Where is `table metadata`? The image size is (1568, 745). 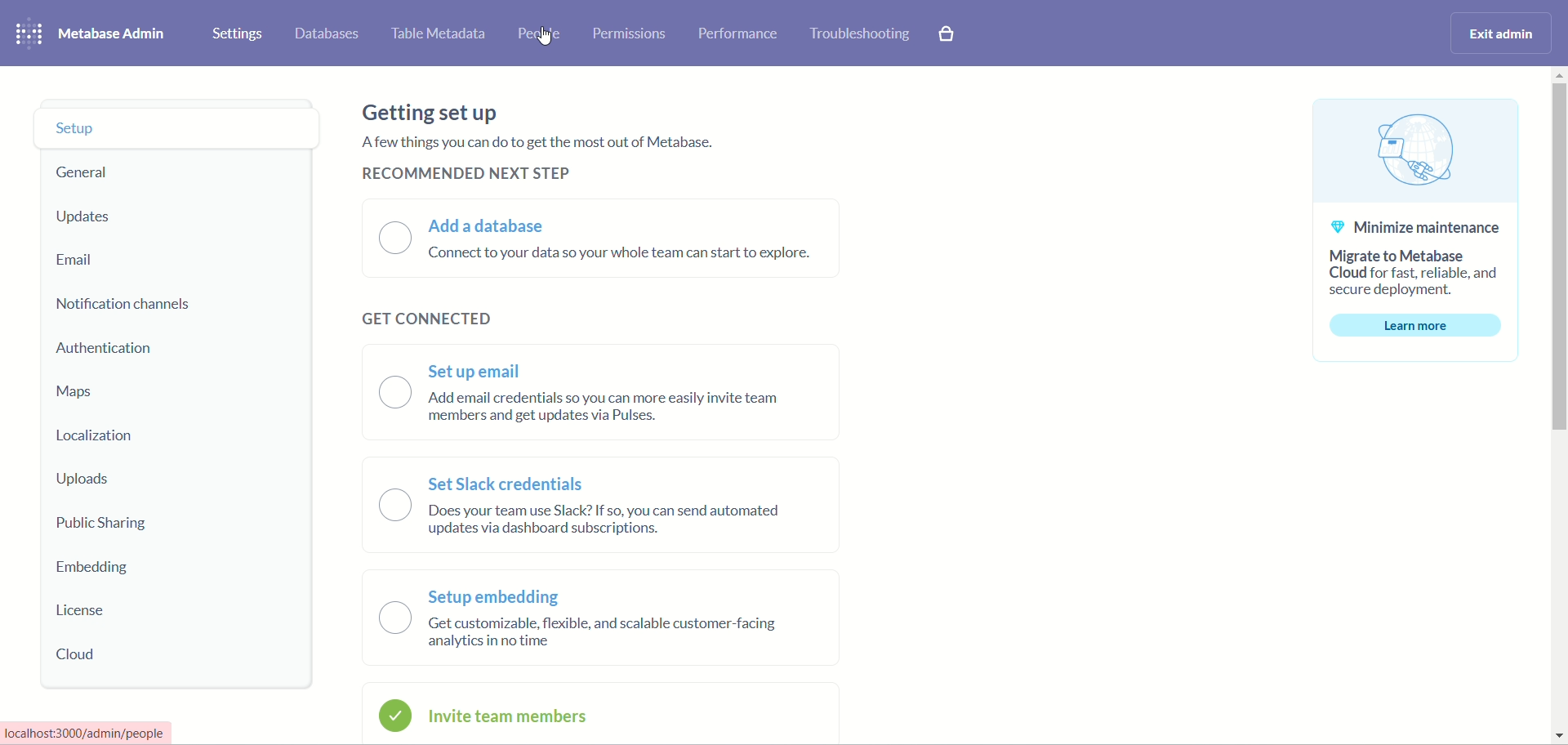 table metadata is located at coordinates (439, 38).